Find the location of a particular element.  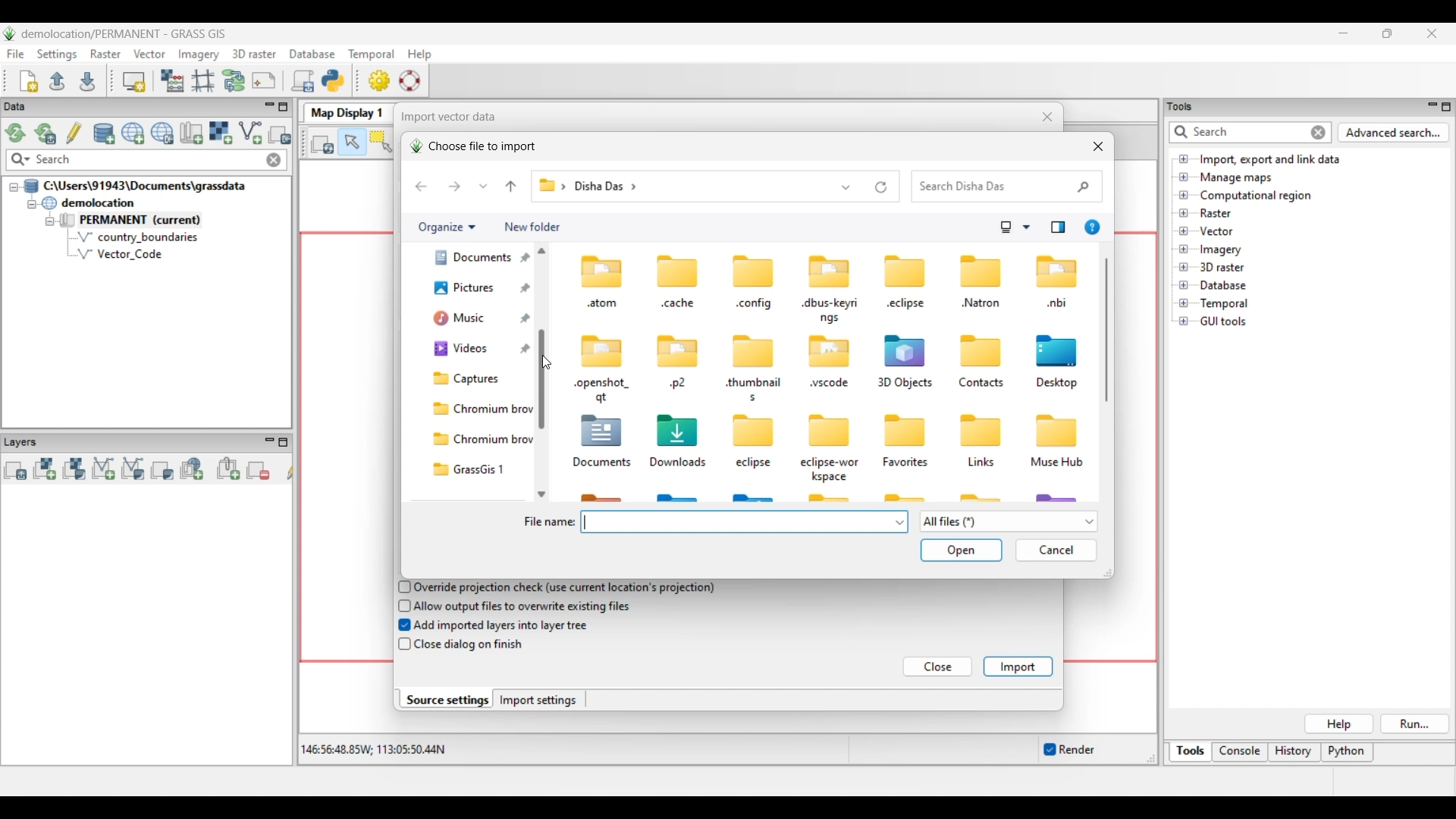

Captures folder is located at coordinates (477, 378).